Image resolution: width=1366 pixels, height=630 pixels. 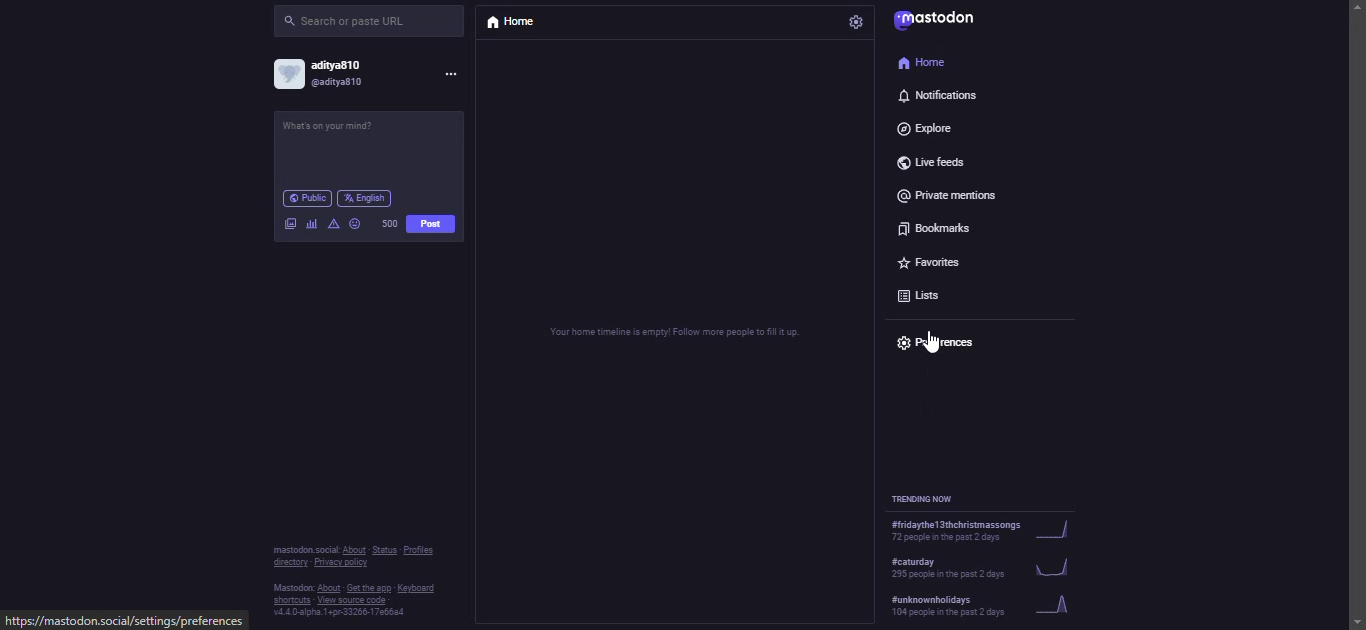 What do you see at coordinates (935, 266) in the screenshot?
I see `favorites` at bounding box center [935, 266].